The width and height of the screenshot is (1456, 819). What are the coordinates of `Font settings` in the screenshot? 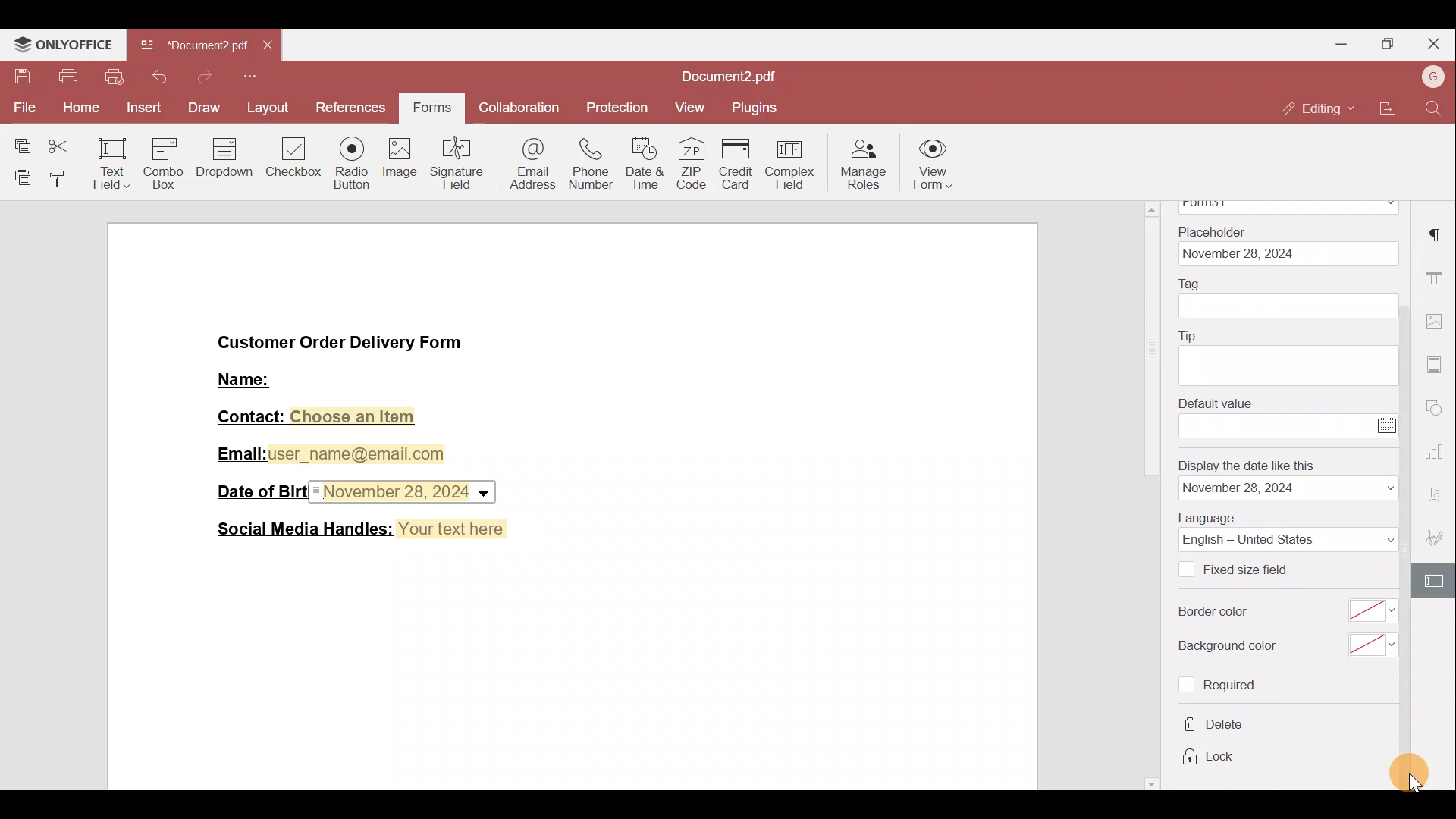 It's located at (1436, 496).